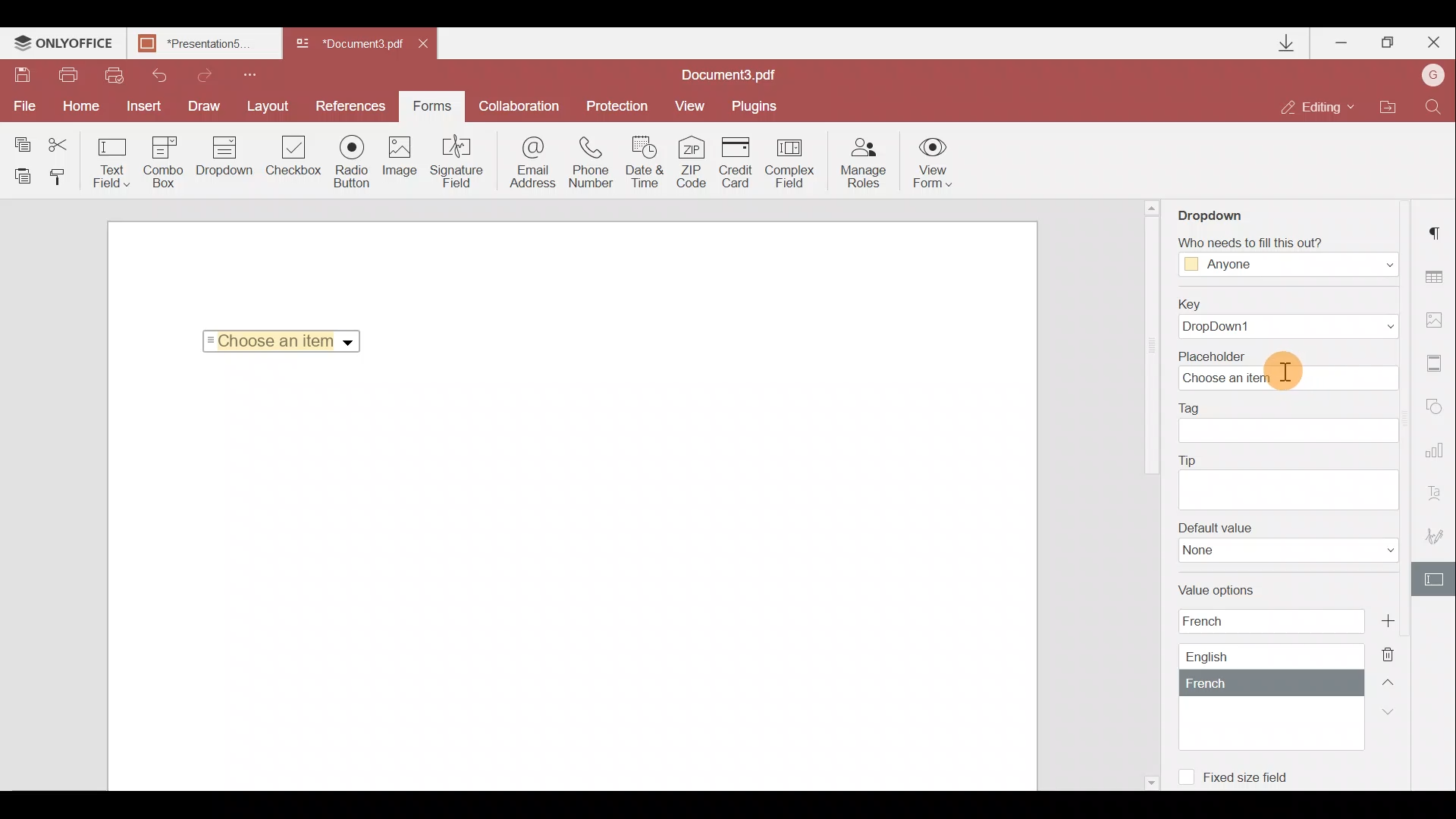 The image size is (1456, 819). I want to click on Undo, so click(153, 73).